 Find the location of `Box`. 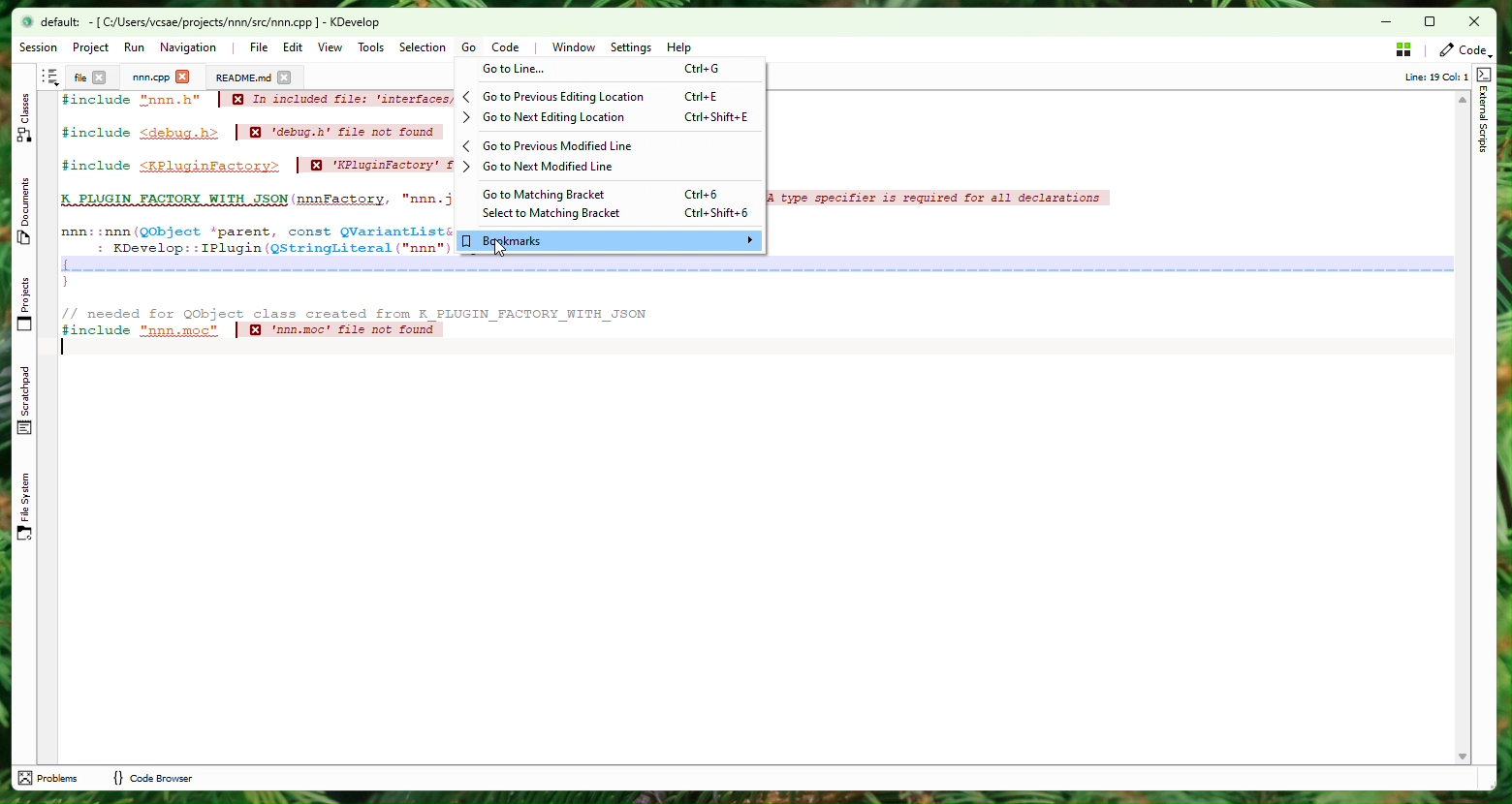

Box is located at coordinates (1436, 21).